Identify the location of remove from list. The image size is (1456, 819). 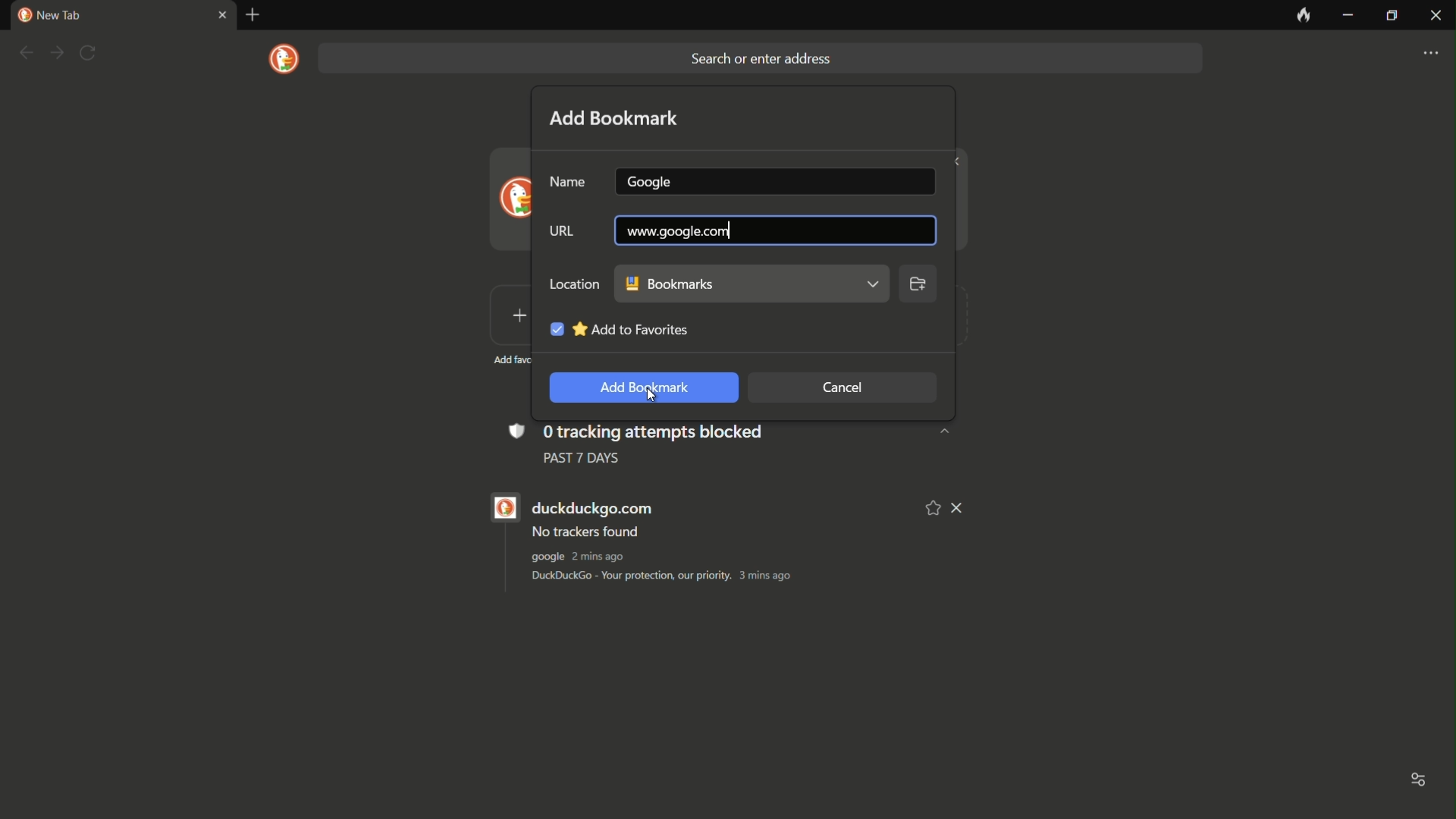
(959, 508).